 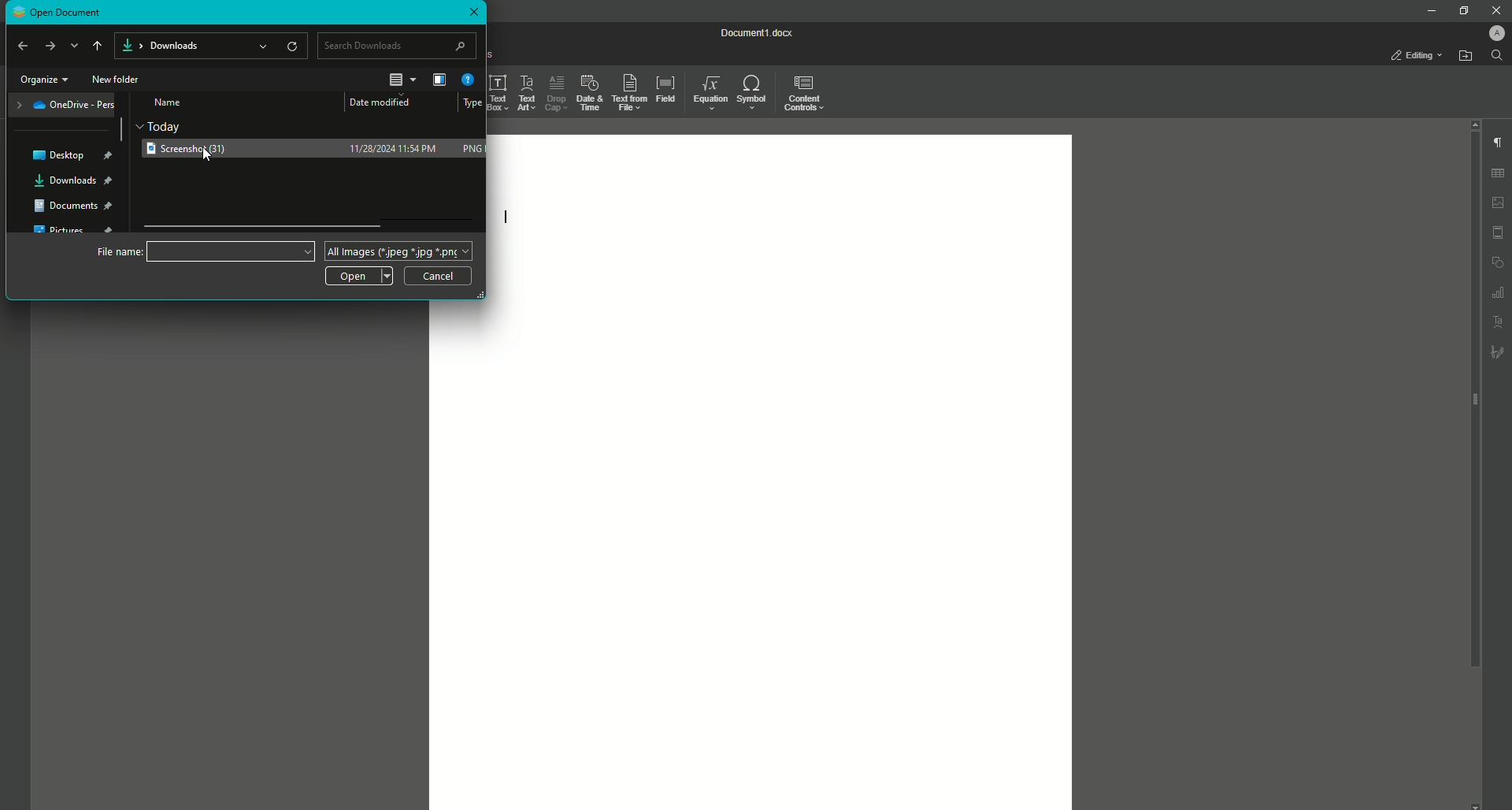 I want to click on Search bar, so click(x=398, y=45).